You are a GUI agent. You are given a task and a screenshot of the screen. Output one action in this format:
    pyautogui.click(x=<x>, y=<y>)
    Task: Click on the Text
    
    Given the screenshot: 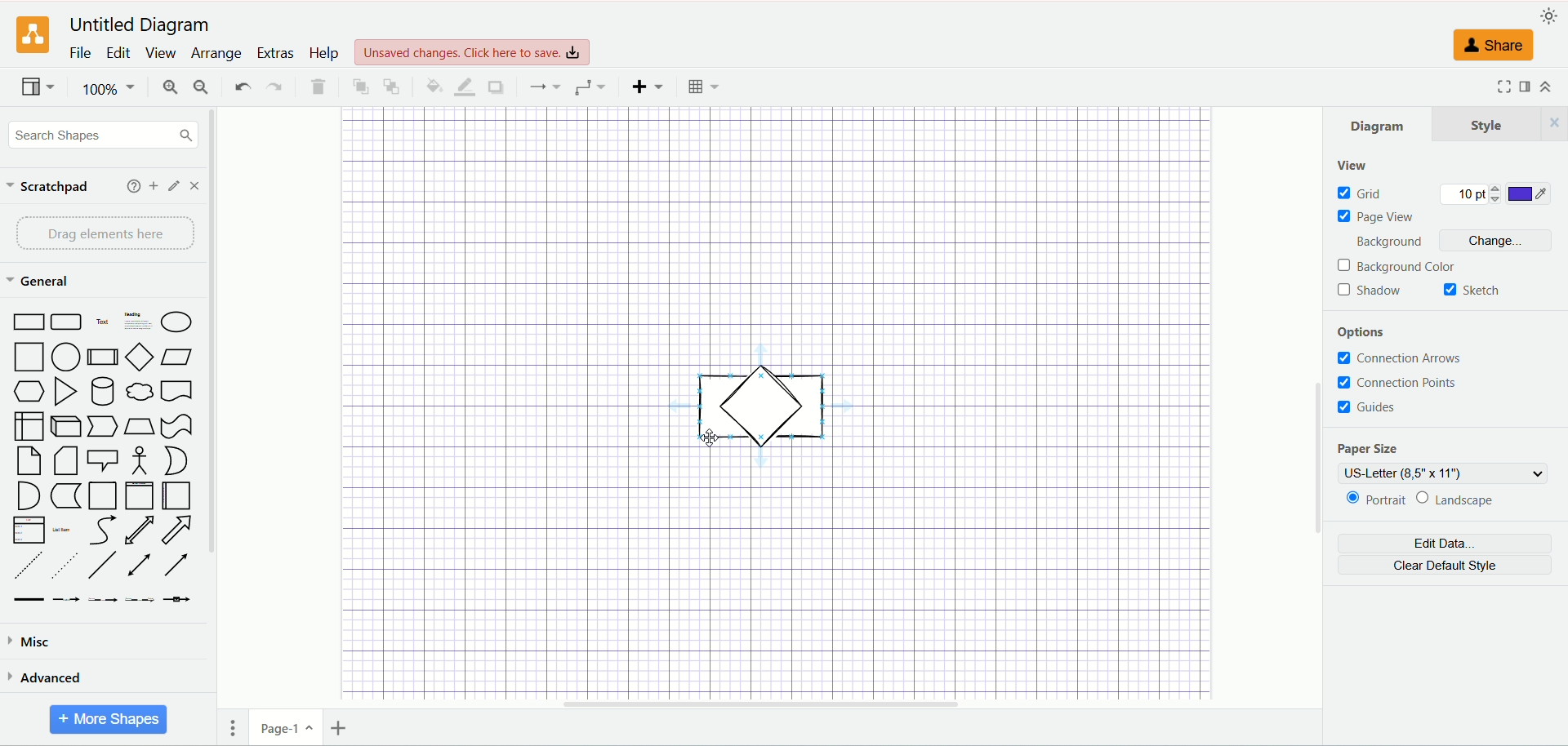 What is the action you would take?
    pyautogui.click(x=104, y=323)
    